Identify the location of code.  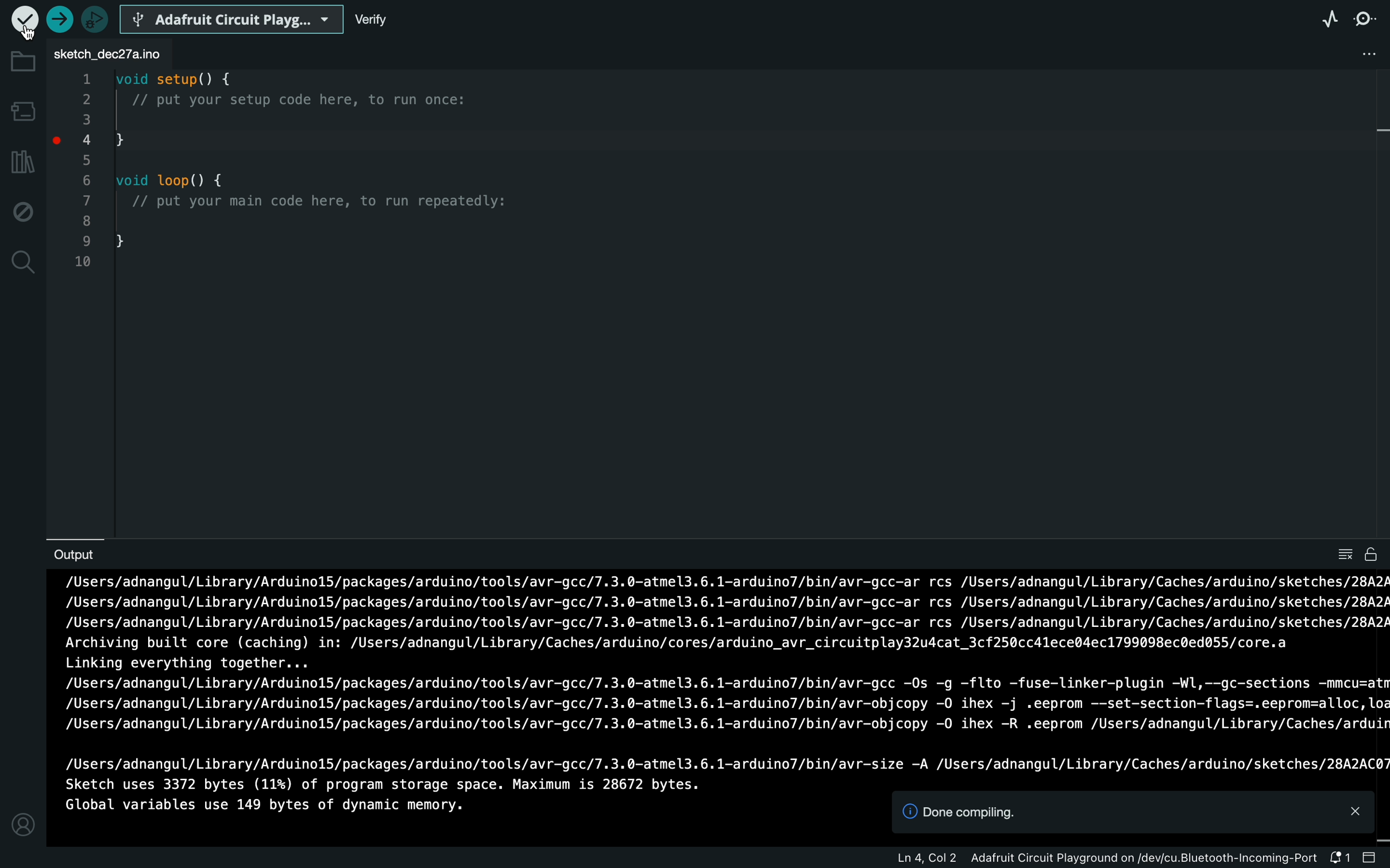
(303, 185).